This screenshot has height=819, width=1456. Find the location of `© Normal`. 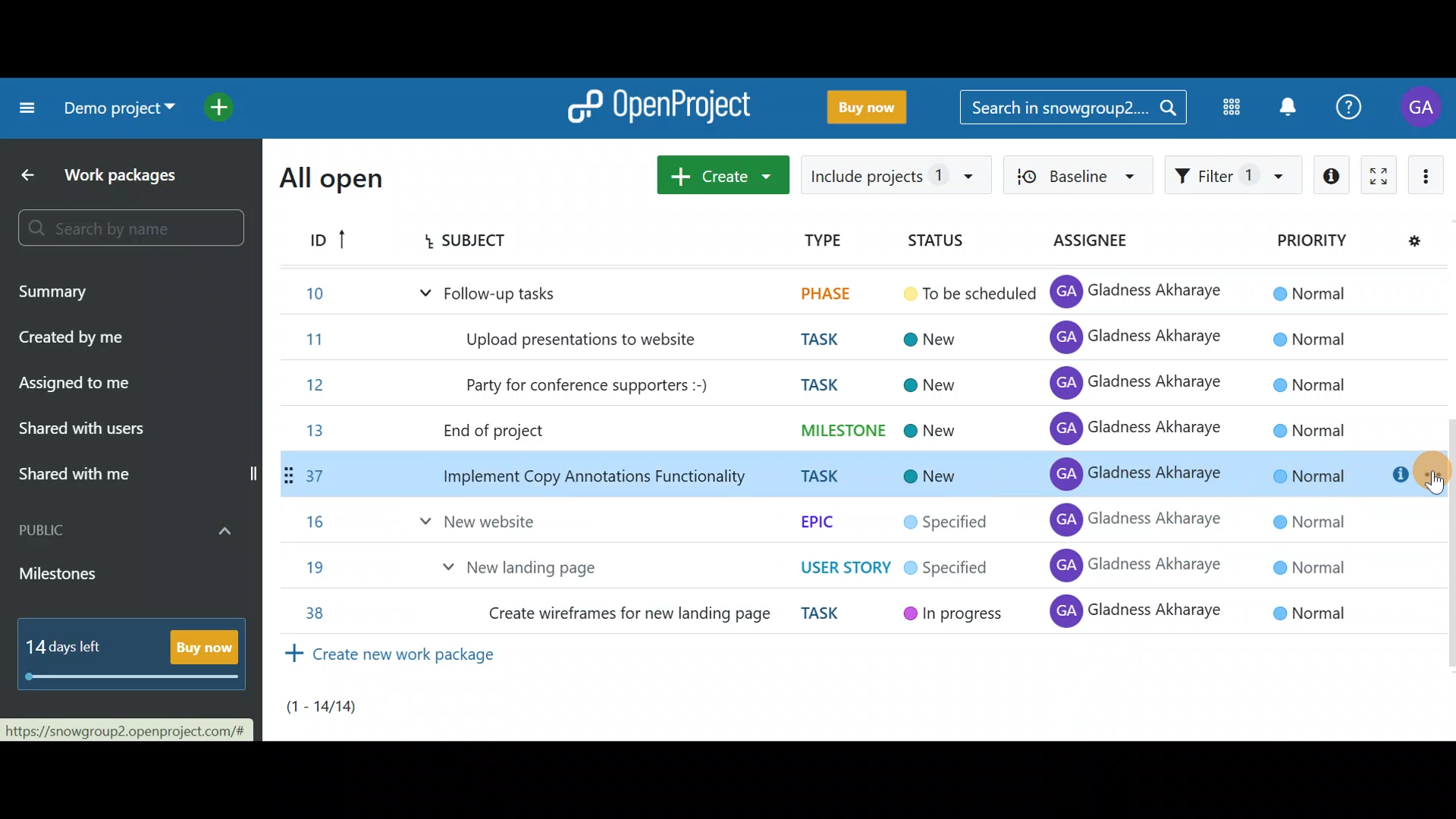

© Normal is located at coordinates (1308, 293).